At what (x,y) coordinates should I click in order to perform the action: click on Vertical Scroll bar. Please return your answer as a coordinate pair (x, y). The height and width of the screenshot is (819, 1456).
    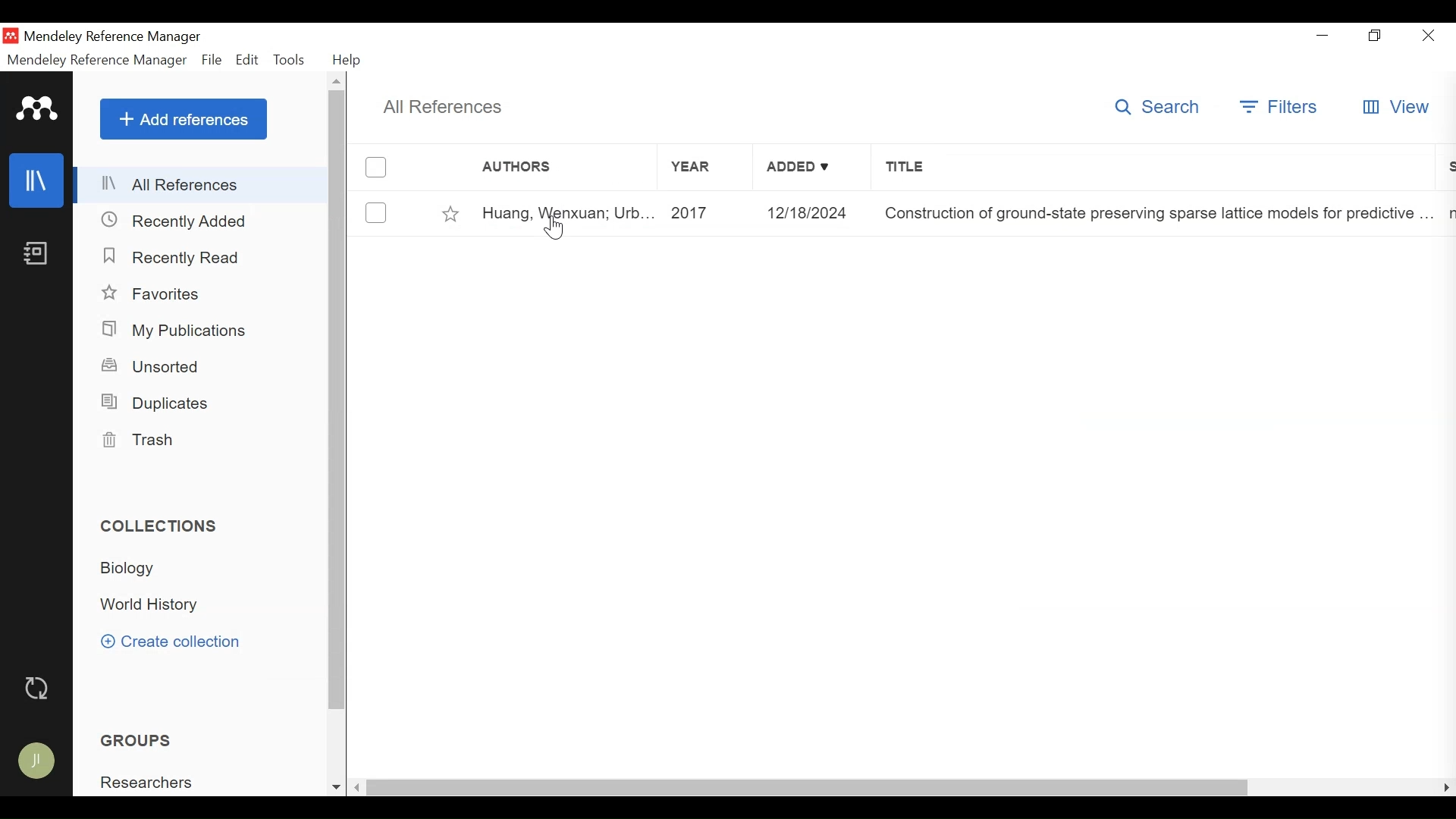
    Looking at the image, I should click on (339, 403).